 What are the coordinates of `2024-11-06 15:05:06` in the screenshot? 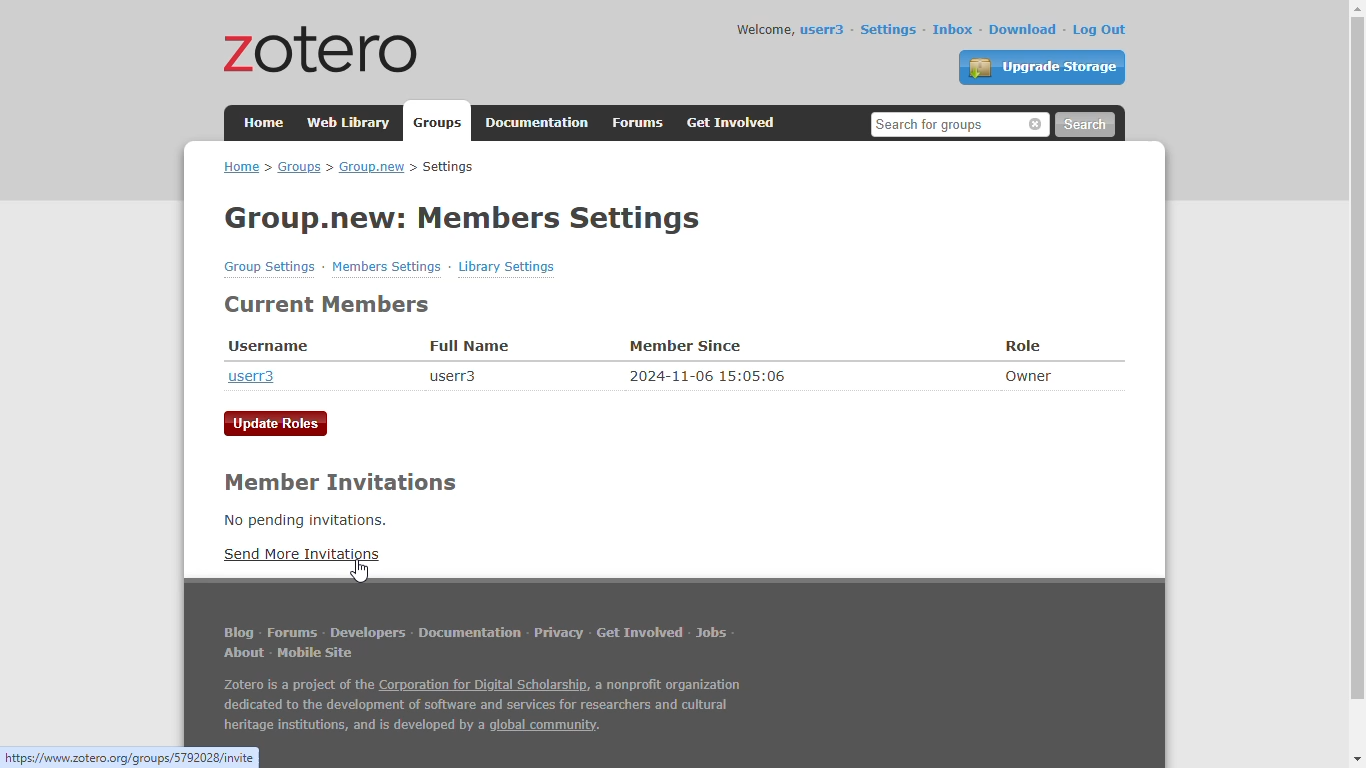 It's located at (709, 375).